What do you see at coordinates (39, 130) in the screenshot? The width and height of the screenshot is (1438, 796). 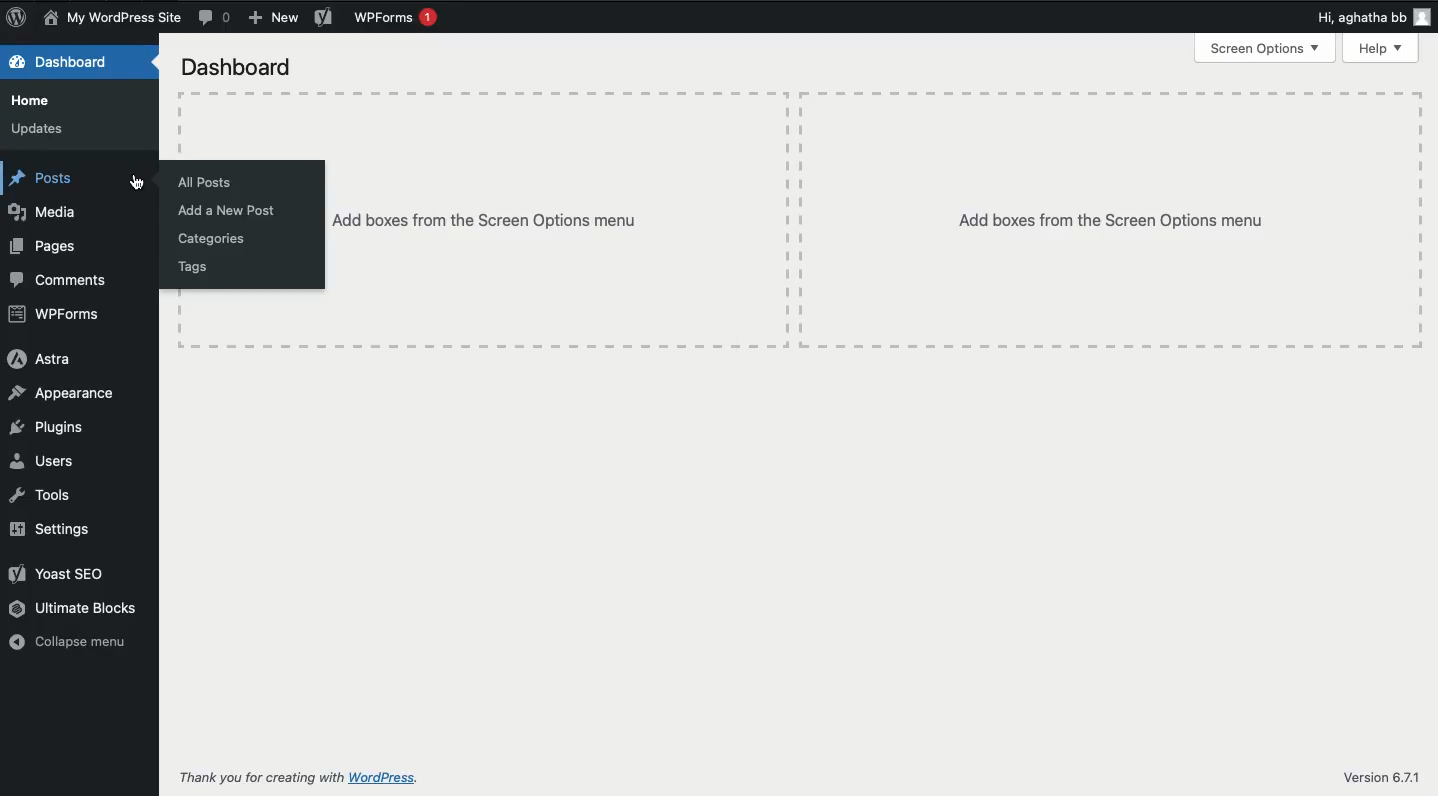 I see `Updates` at bounding box center [39, 130].